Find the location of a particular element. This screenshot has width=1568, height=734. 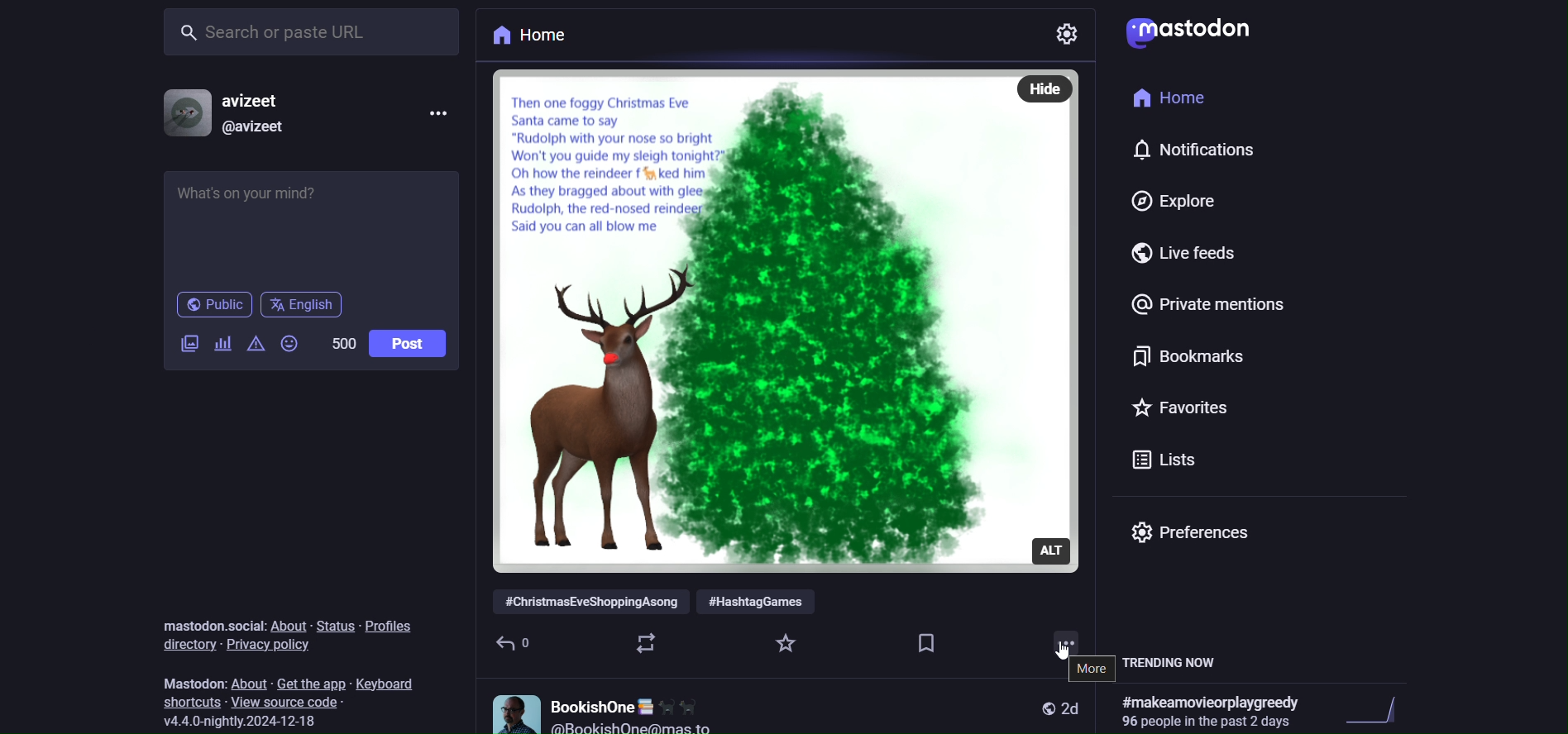

cursor is located at coordinates (1063, 652).